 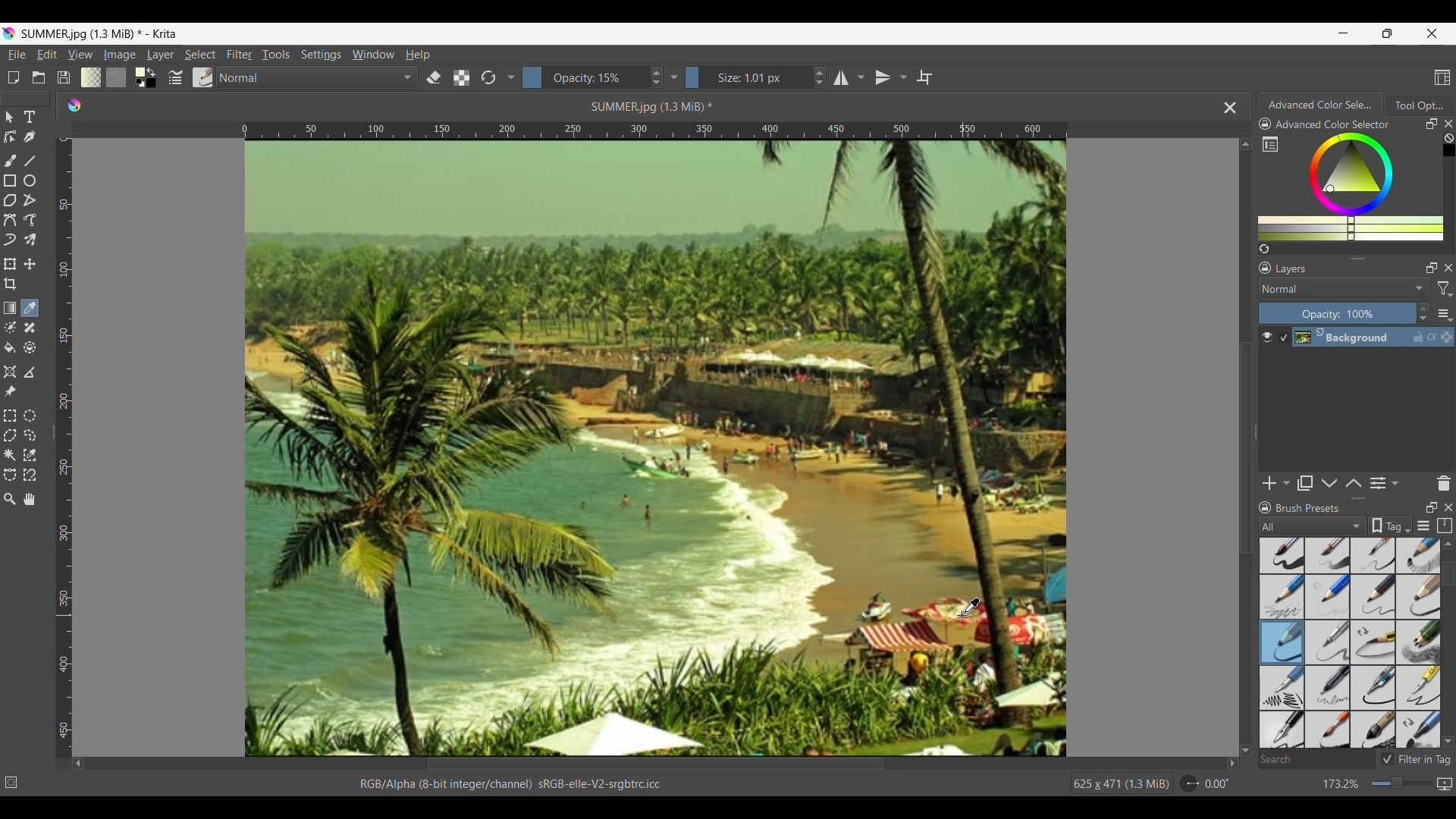 I want to click on RGB/Alpha (8-bit integer/channel) sRGB-elle-V2-srgbtrc.icc, so click(x=516, y=783).